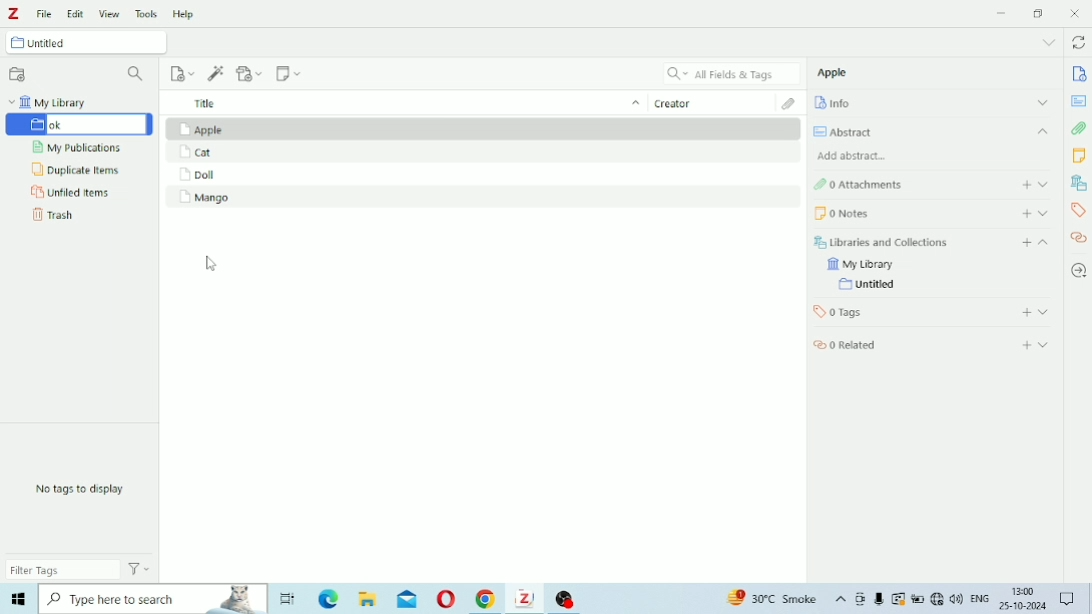 The image size is (1092, 614). Describe the element at coordinates (53, 214) in the screenshot. I see `Trash` at that location.